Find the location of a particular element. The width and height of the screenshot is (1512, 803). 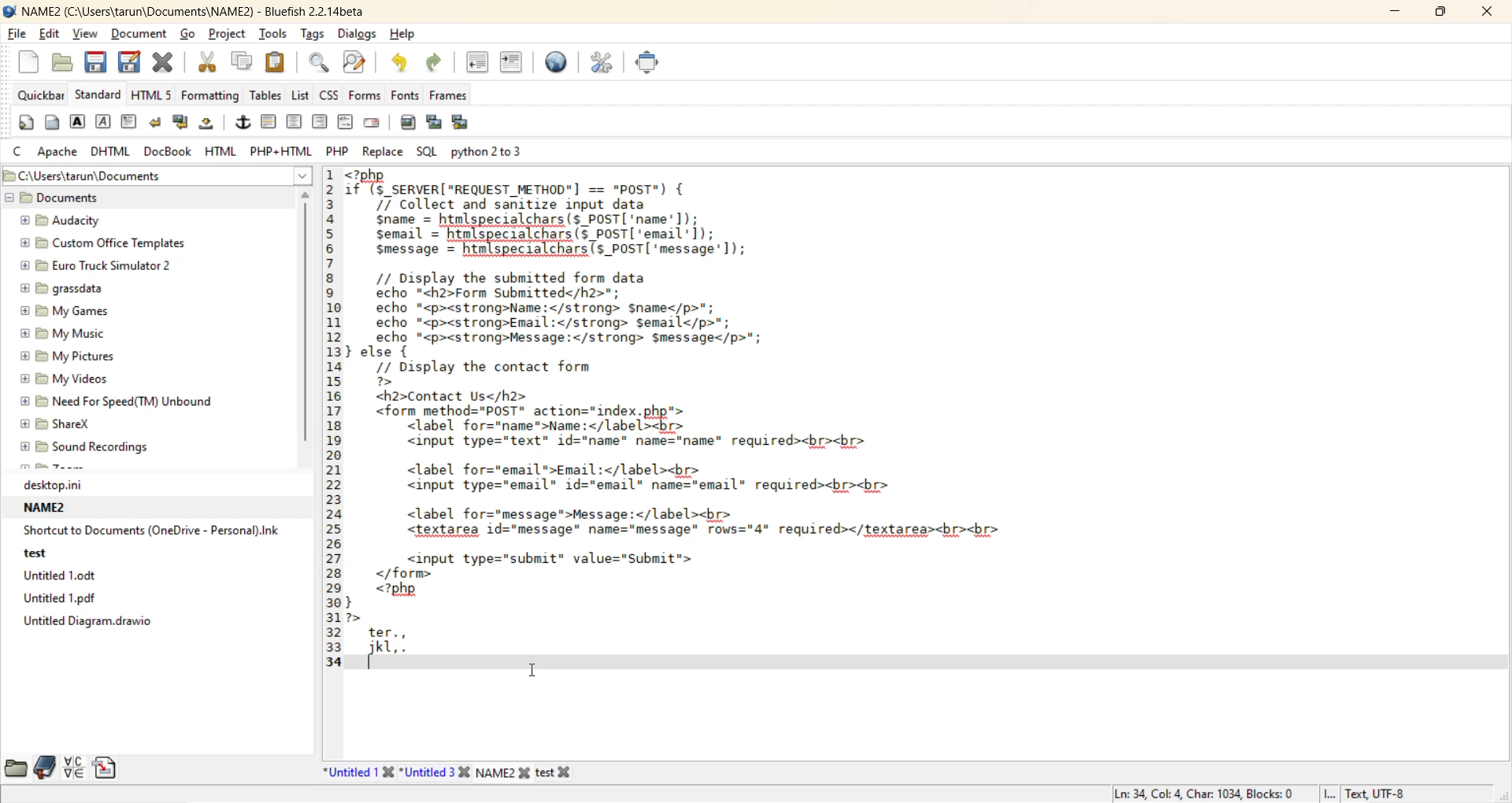

dialogs is located at coordinates (358, 34).